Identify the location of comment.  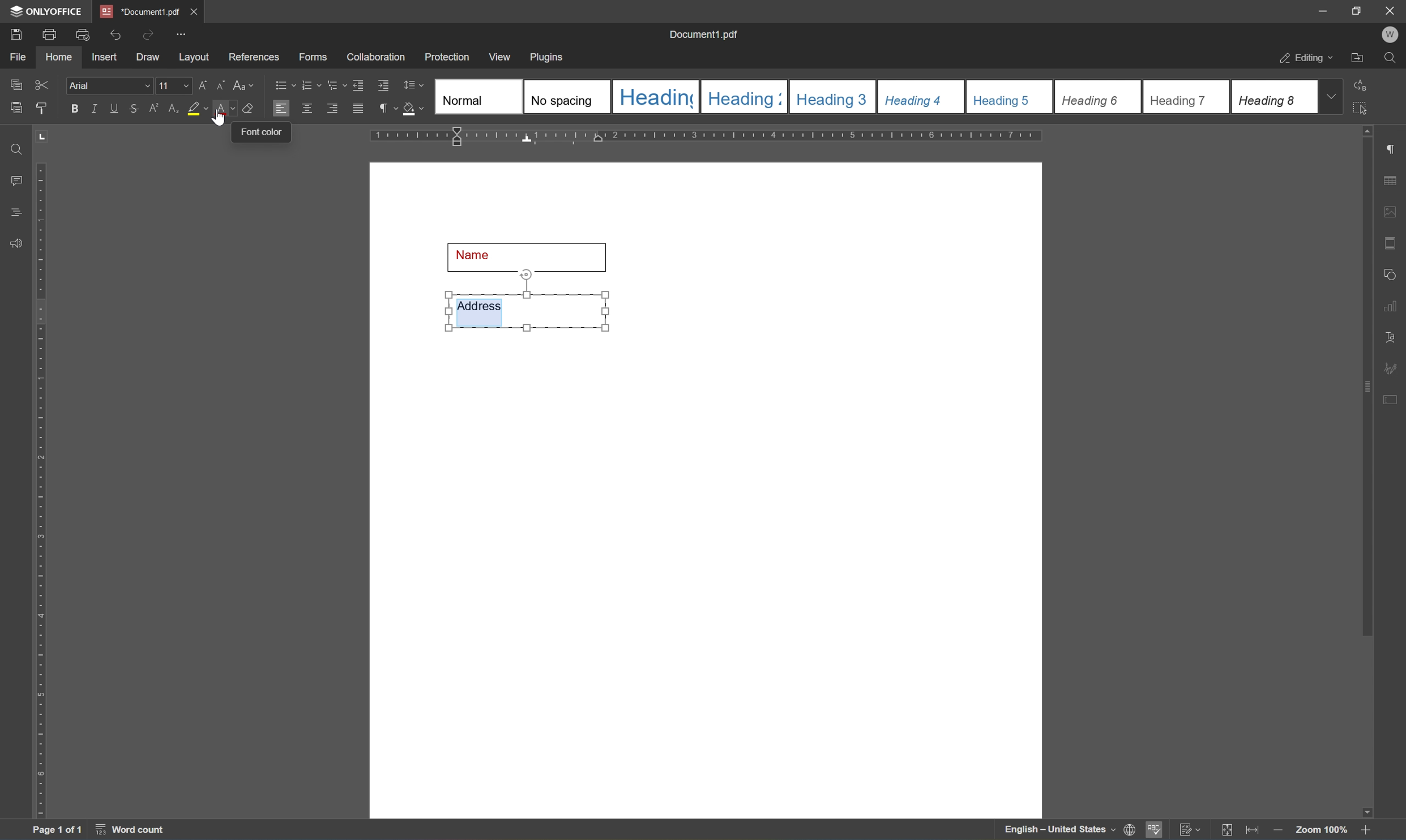
(14, 179).